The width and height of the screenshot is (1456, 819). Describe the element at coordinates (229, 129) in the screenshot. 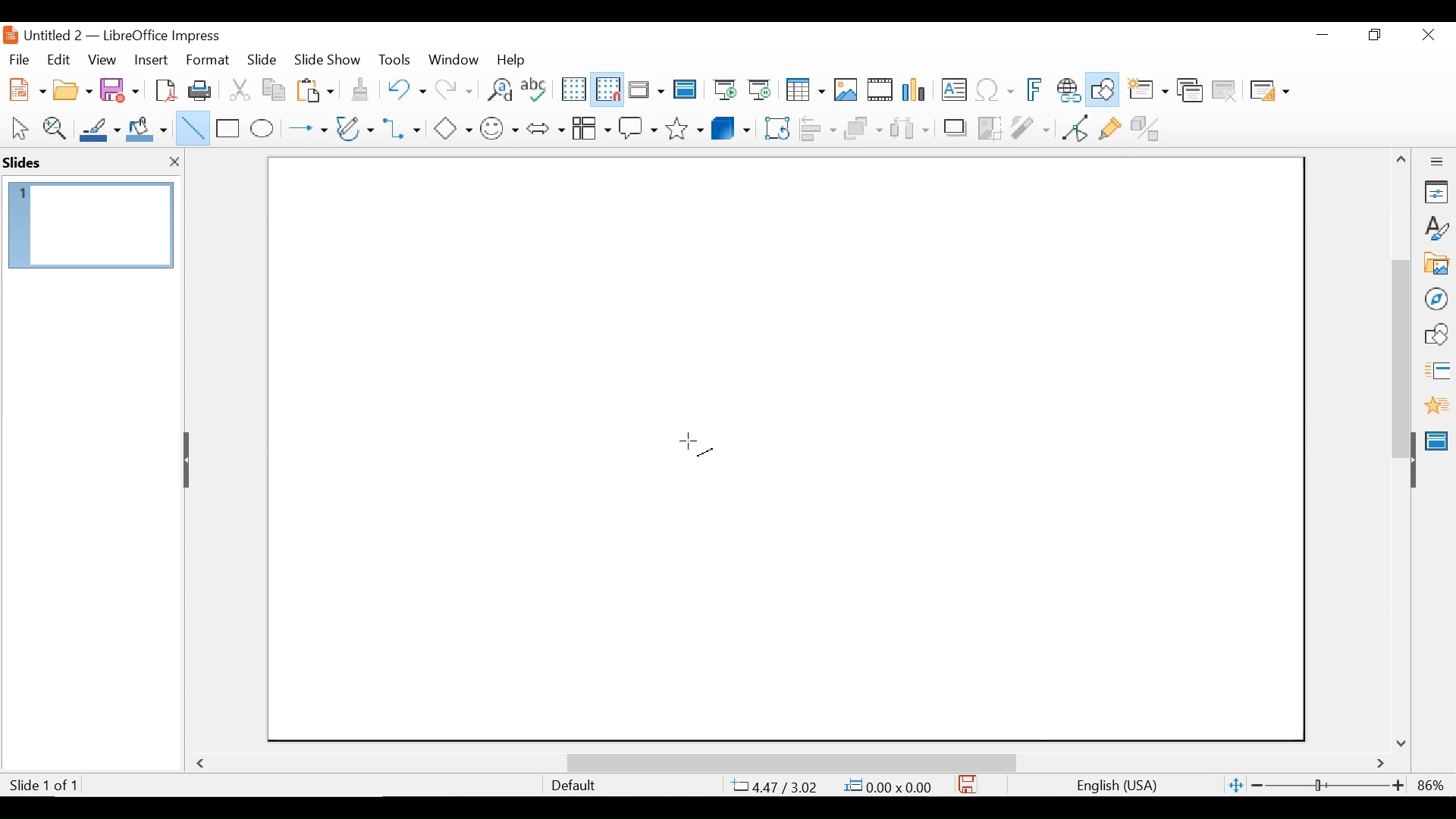

I see `Rectangle` at that location.